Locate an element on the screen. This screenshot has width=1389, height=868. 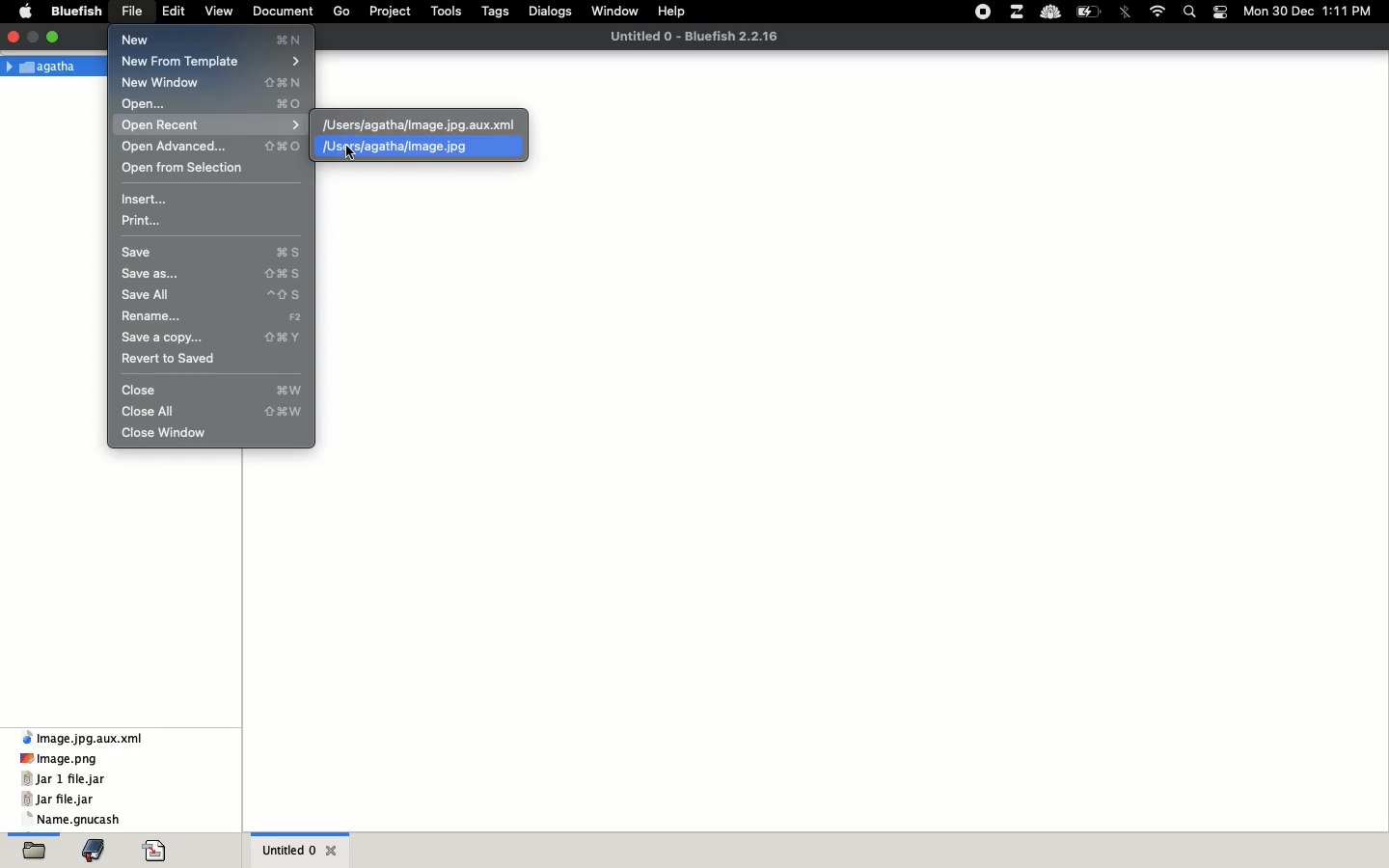
Image.jpg.aux.xml is located at coordinates (87, 738).